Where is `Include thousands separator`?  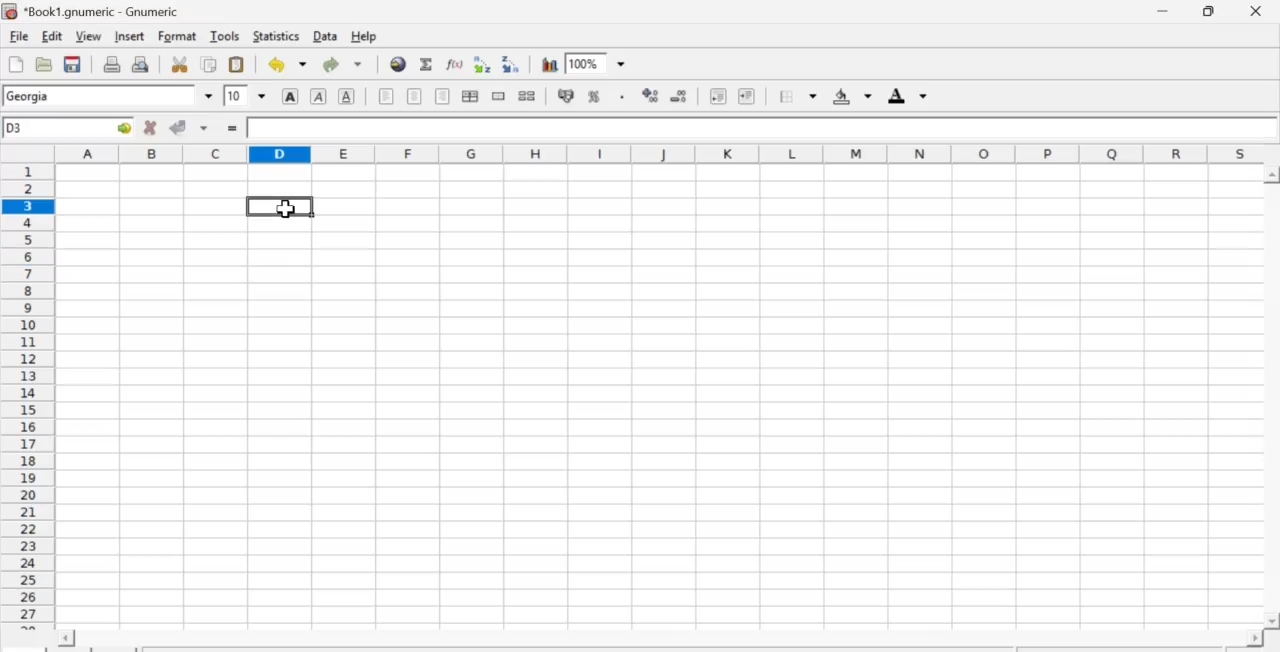
Include thousands separator is located at coordinates (622, 98).